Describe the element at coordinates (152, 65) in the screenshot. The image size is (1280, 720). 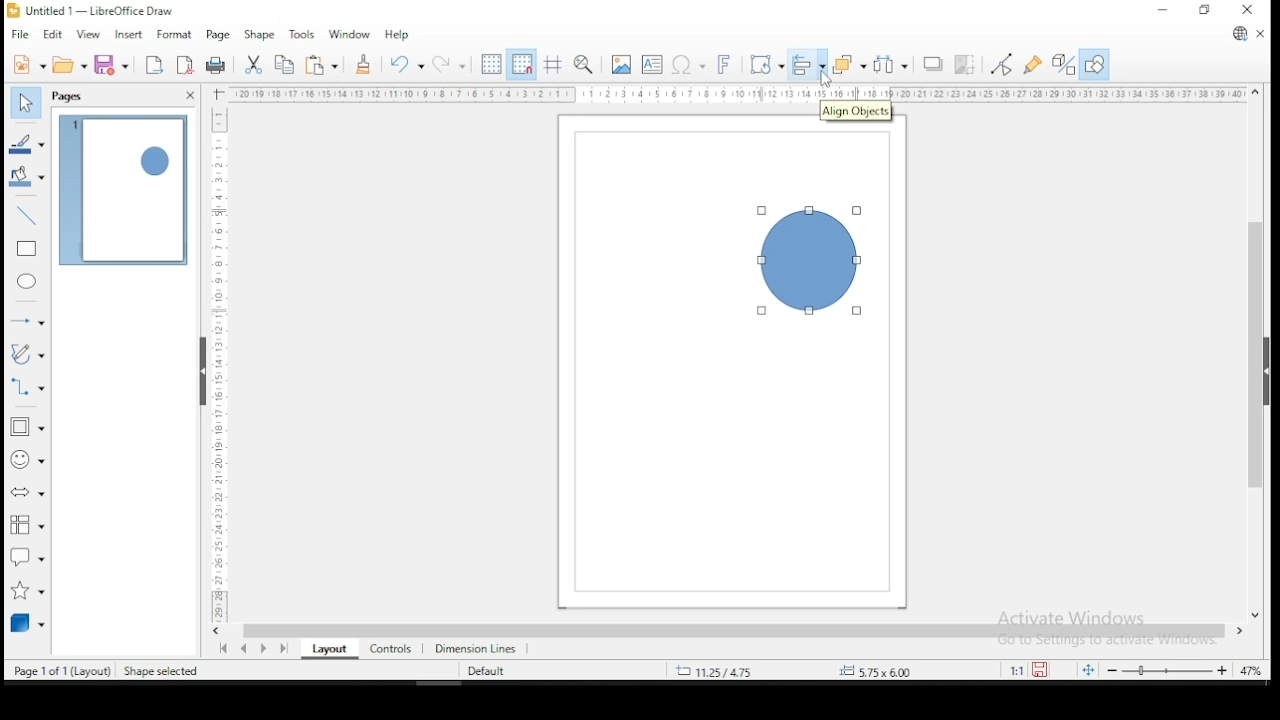
I see `export` at that location.